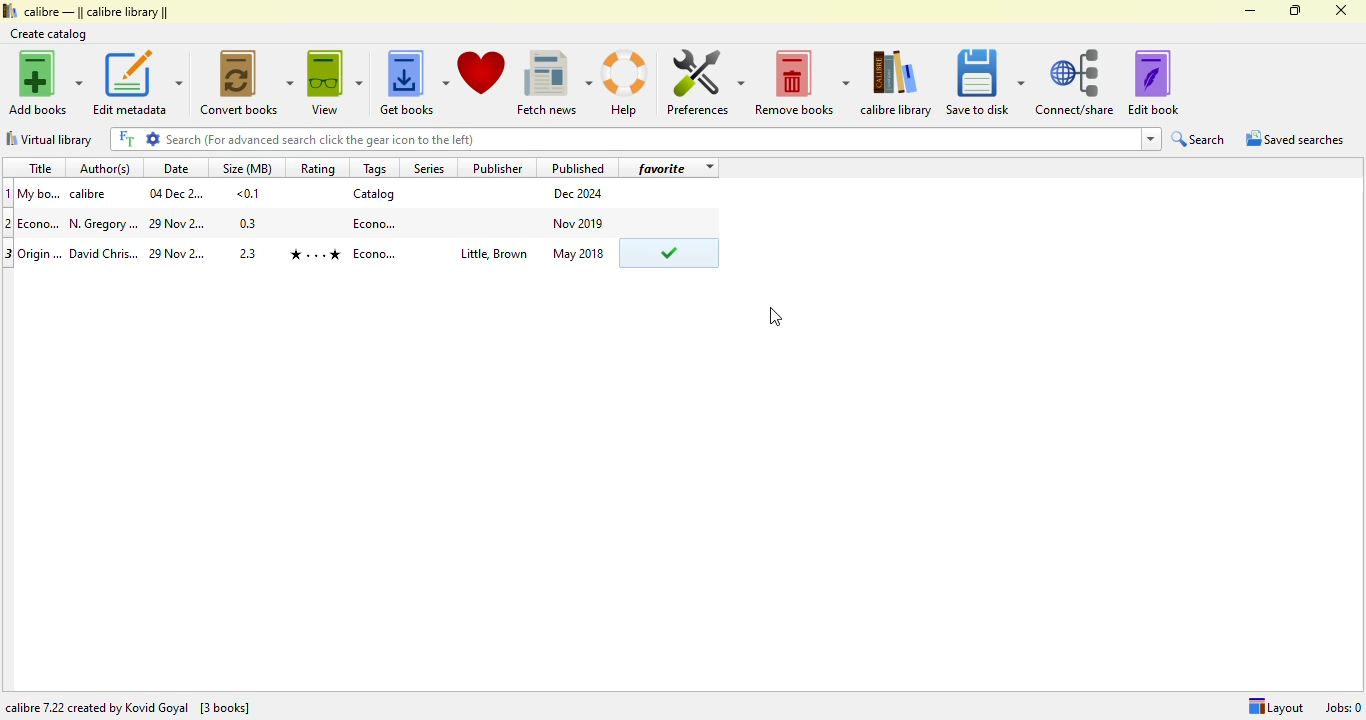 Image resolution: width=1366 pixels, height=720 pixels. Describe the element at coordinates (104, 224) in the screenshot. I see `author` at that location.